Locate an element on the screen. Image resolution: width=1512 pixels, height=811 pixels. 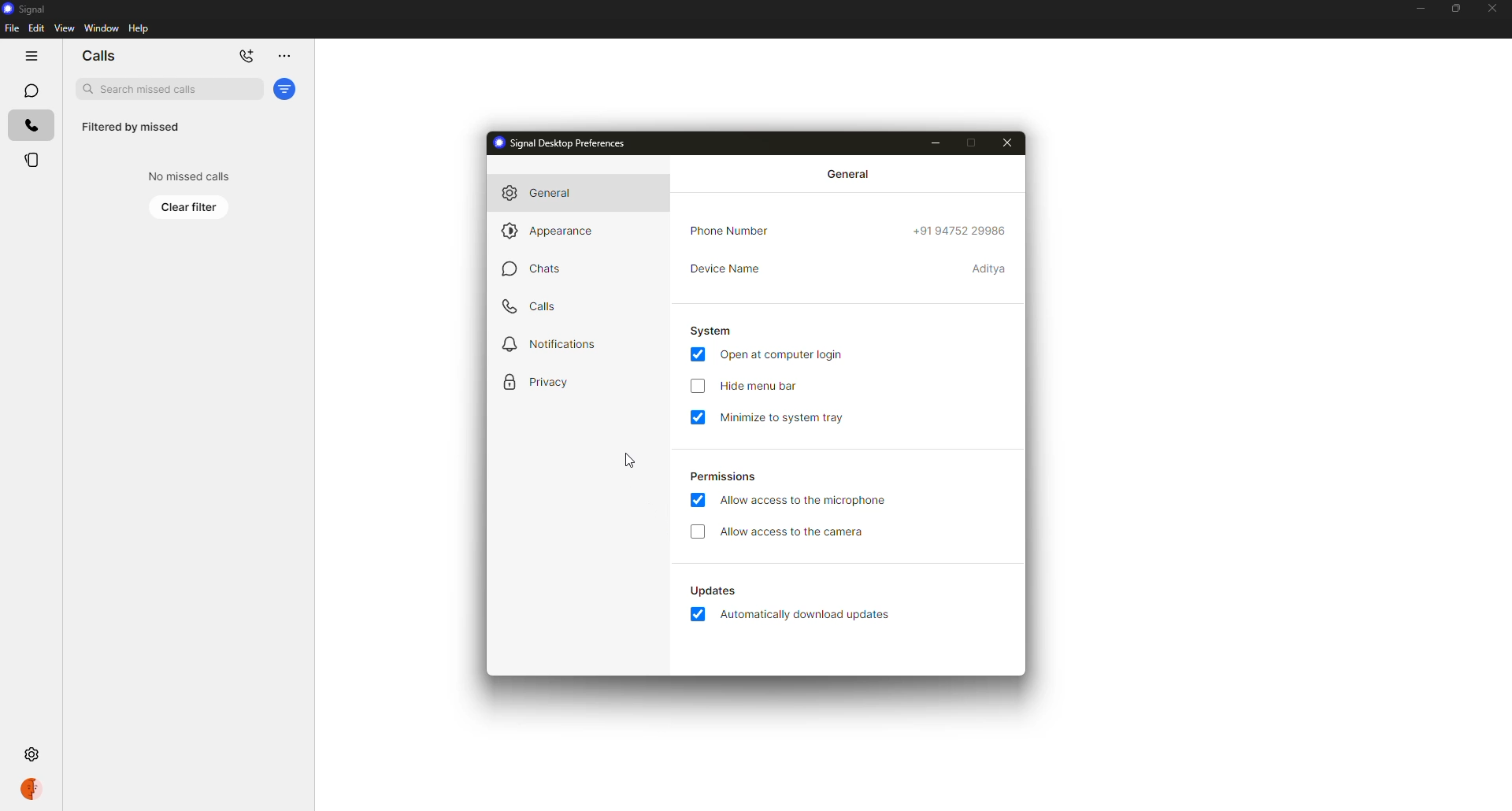
calls is located at coordinates (99, 56).